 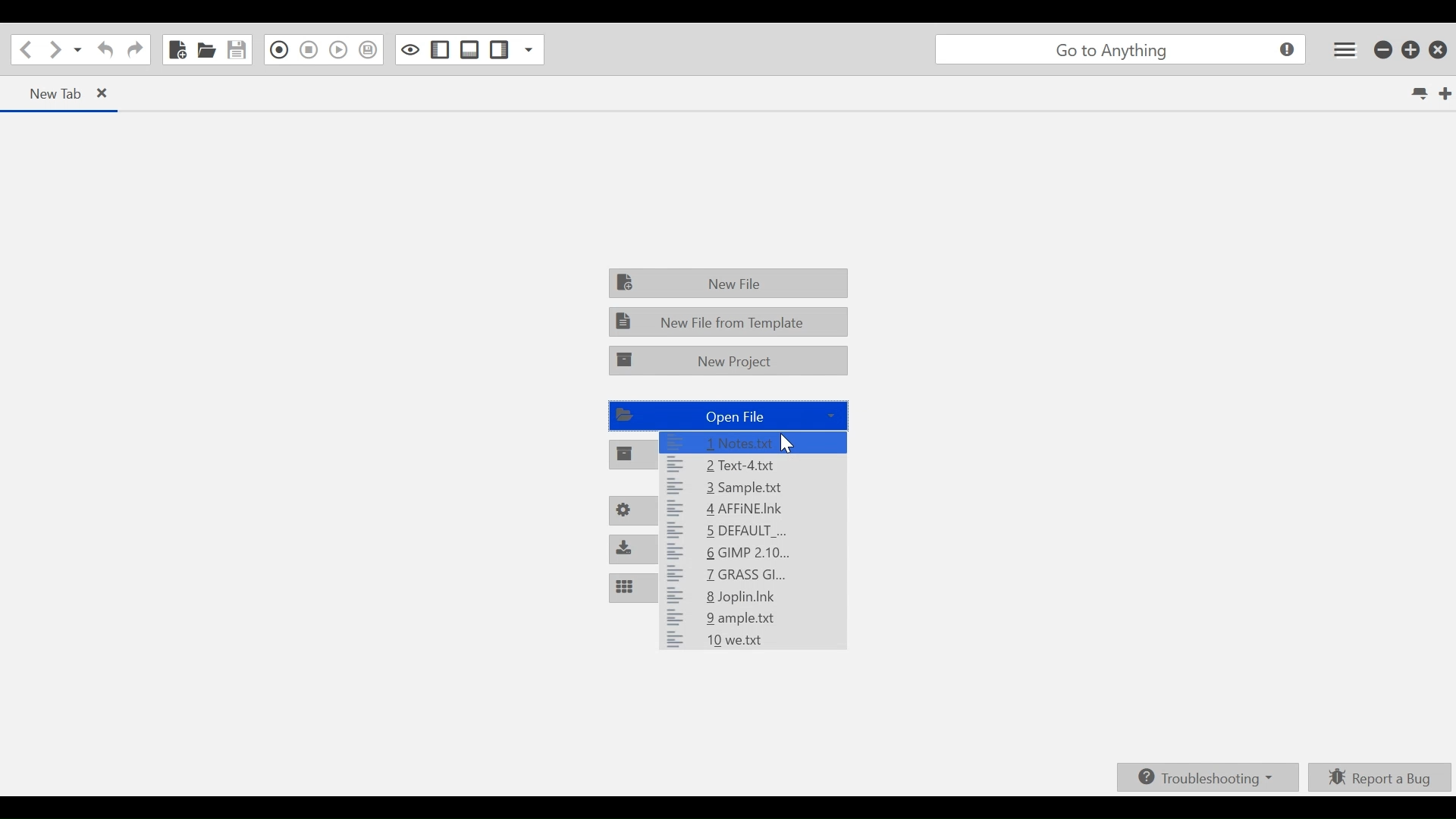 I want to click on Install Packages, so click(x=635, y=548).